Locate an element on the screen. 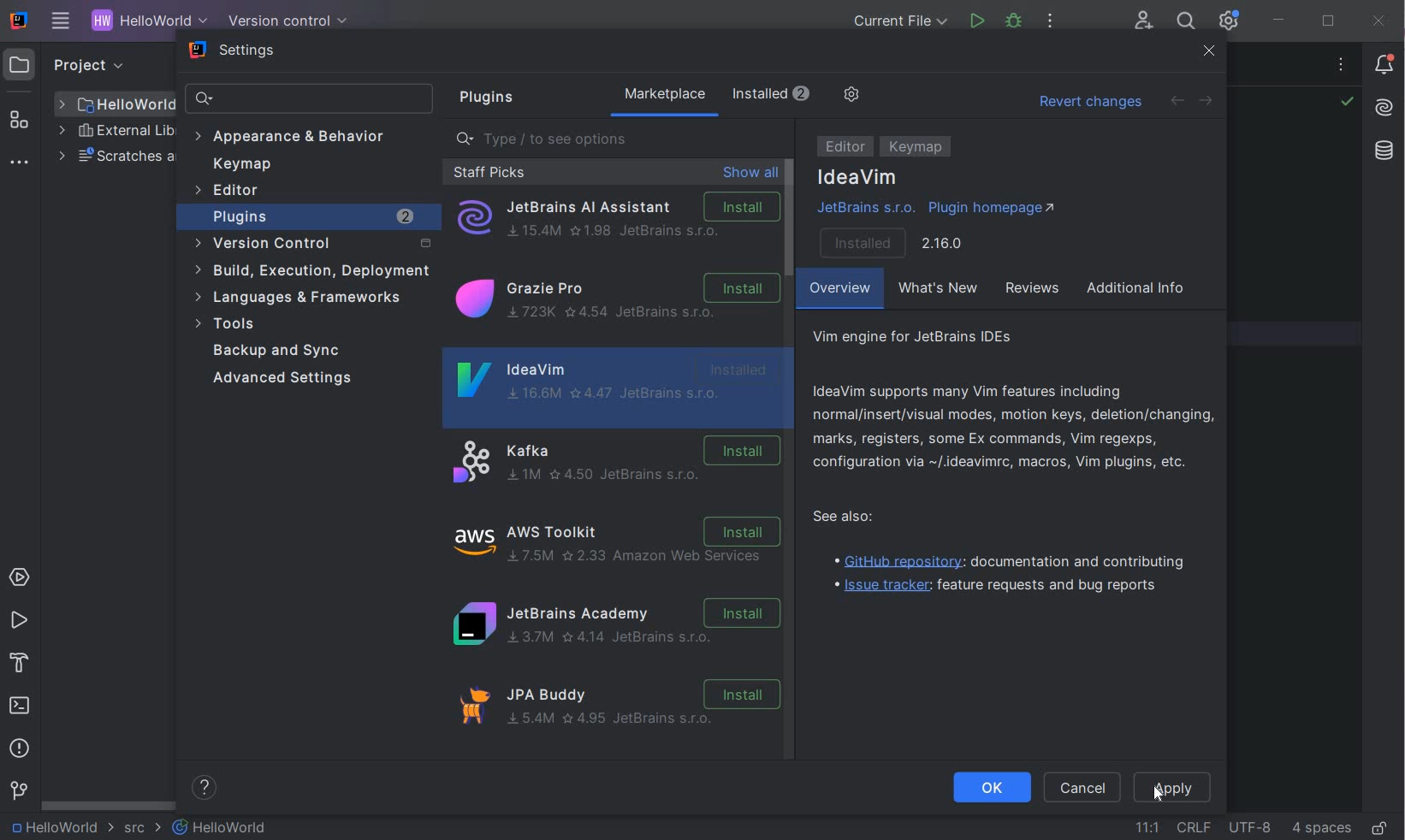  STRUCTURE is located at coordinates (21, 120).